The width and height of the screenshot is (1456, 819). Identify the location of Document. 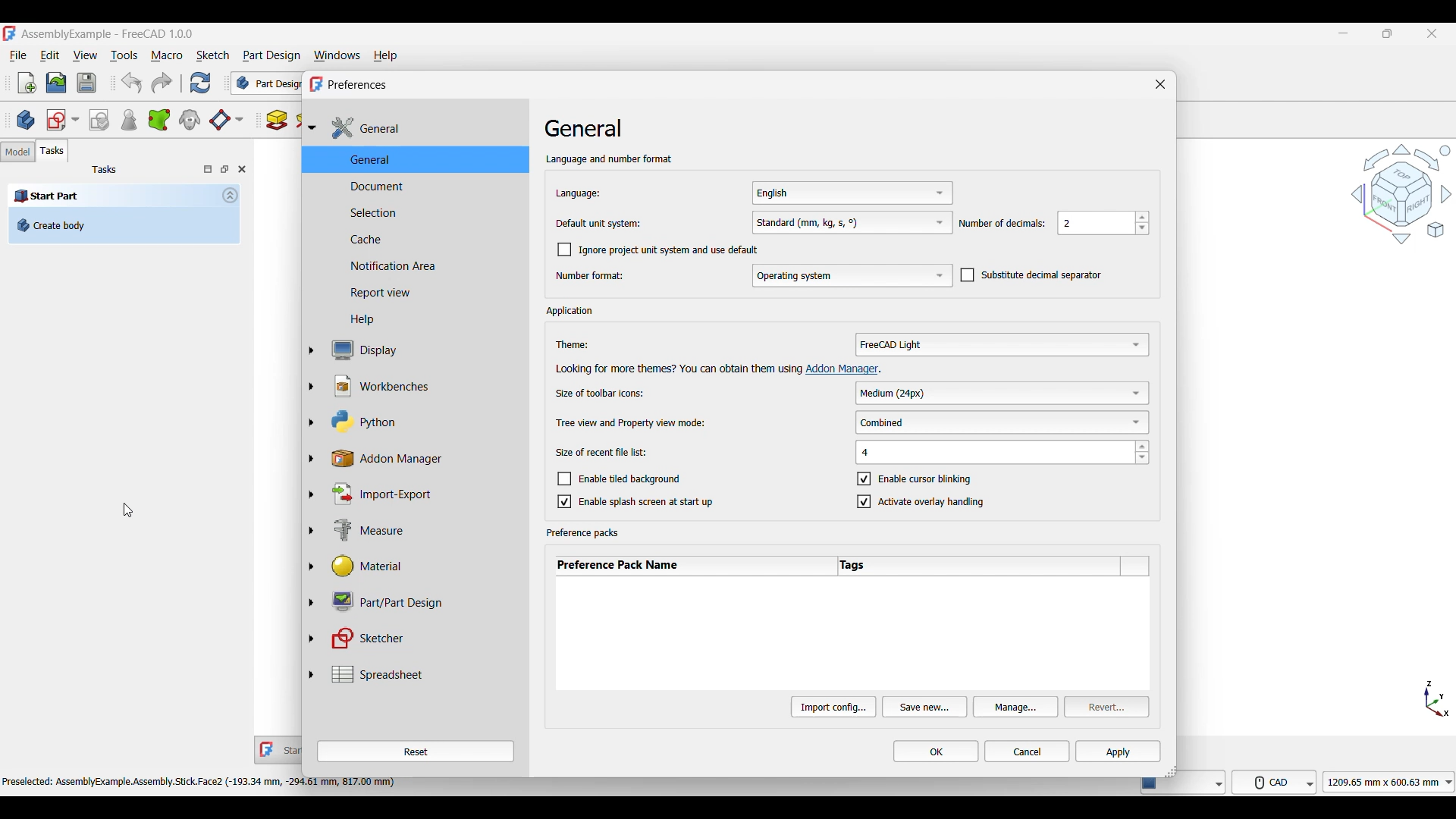
(419, 186).